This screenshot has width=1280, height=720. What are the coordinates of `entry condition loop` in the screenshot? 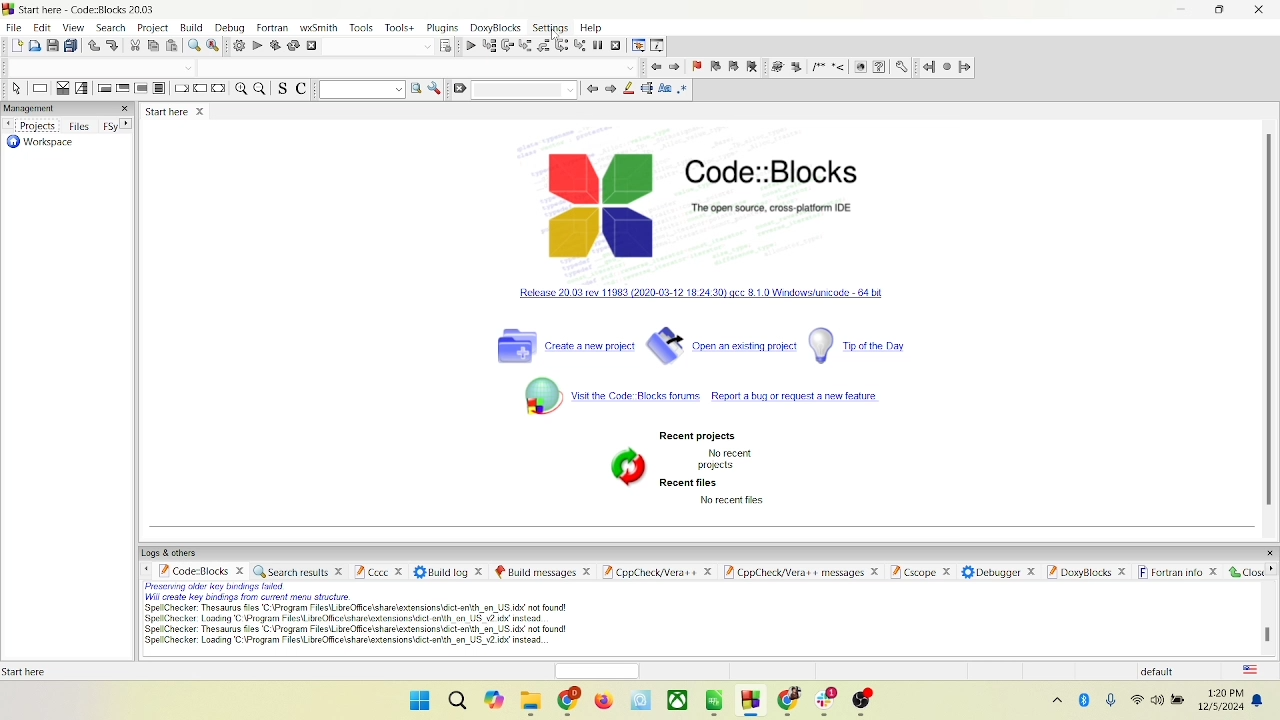 It's located at (103, 87).